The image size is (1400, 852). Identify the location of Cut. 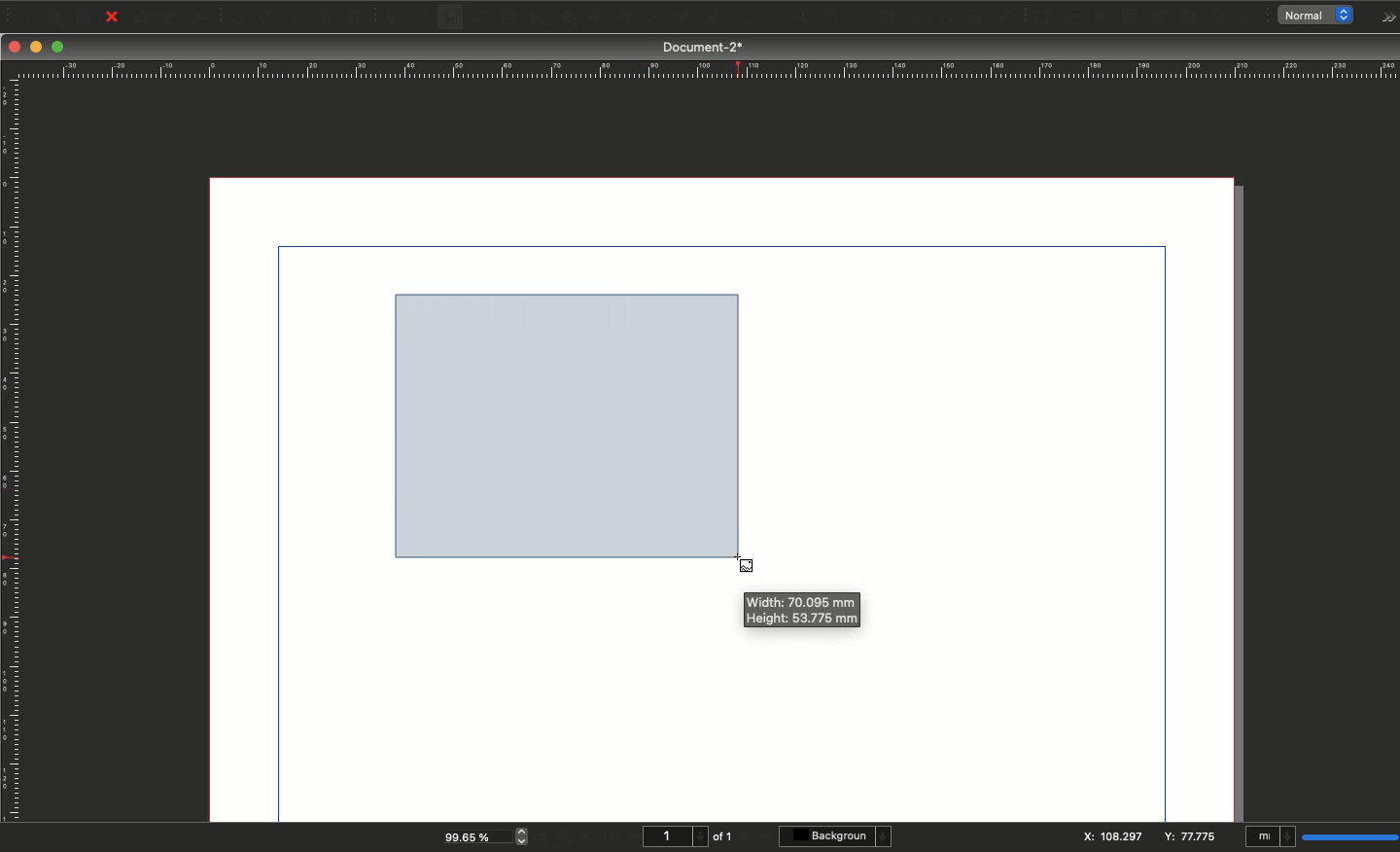
(296, 18).